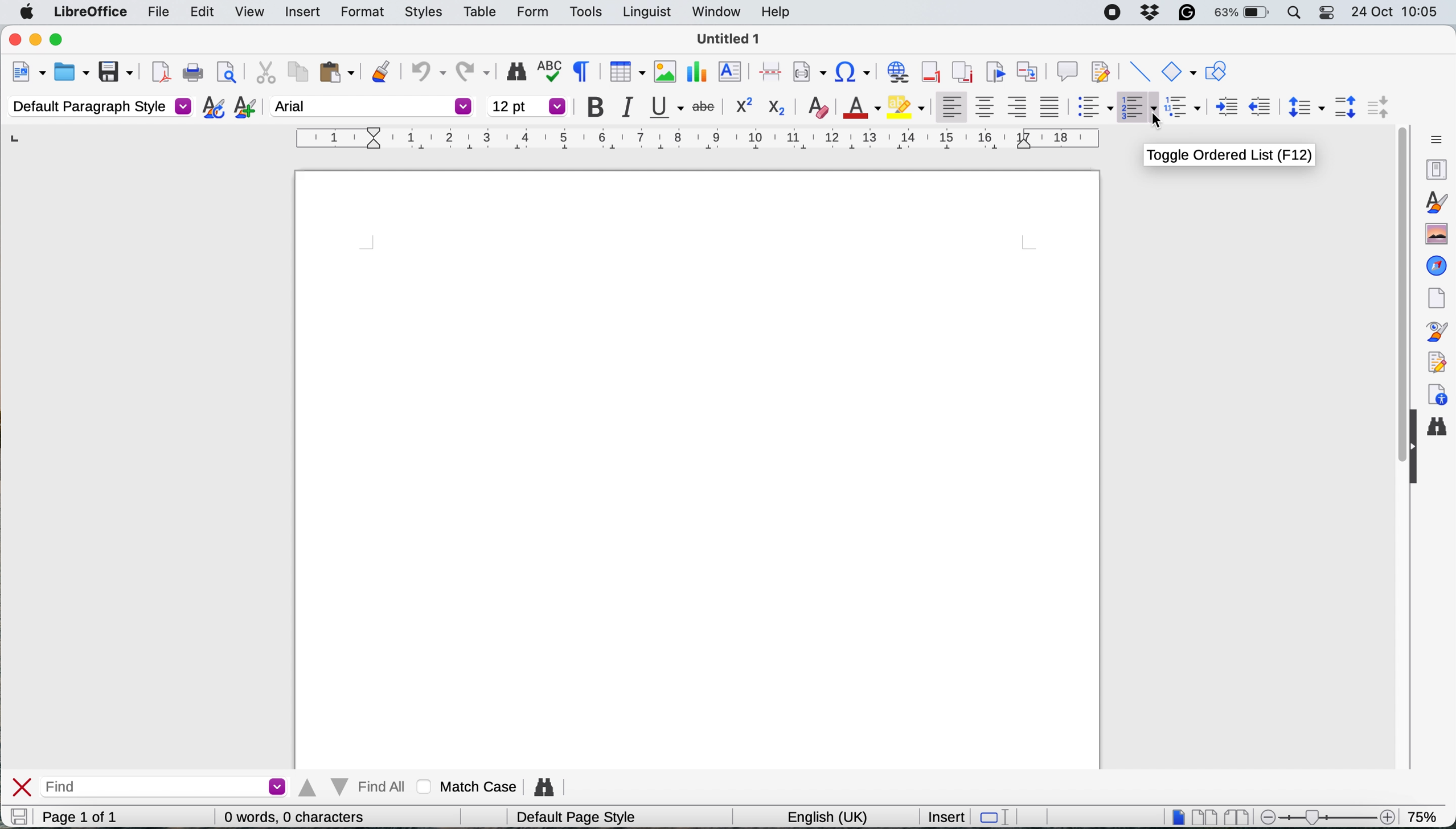 The width and height of the screenshot is (1456, 829). What do you see at coordinates (1242, 14) in the screenshot?
I see `63%` at bounding box center [1242, 14].